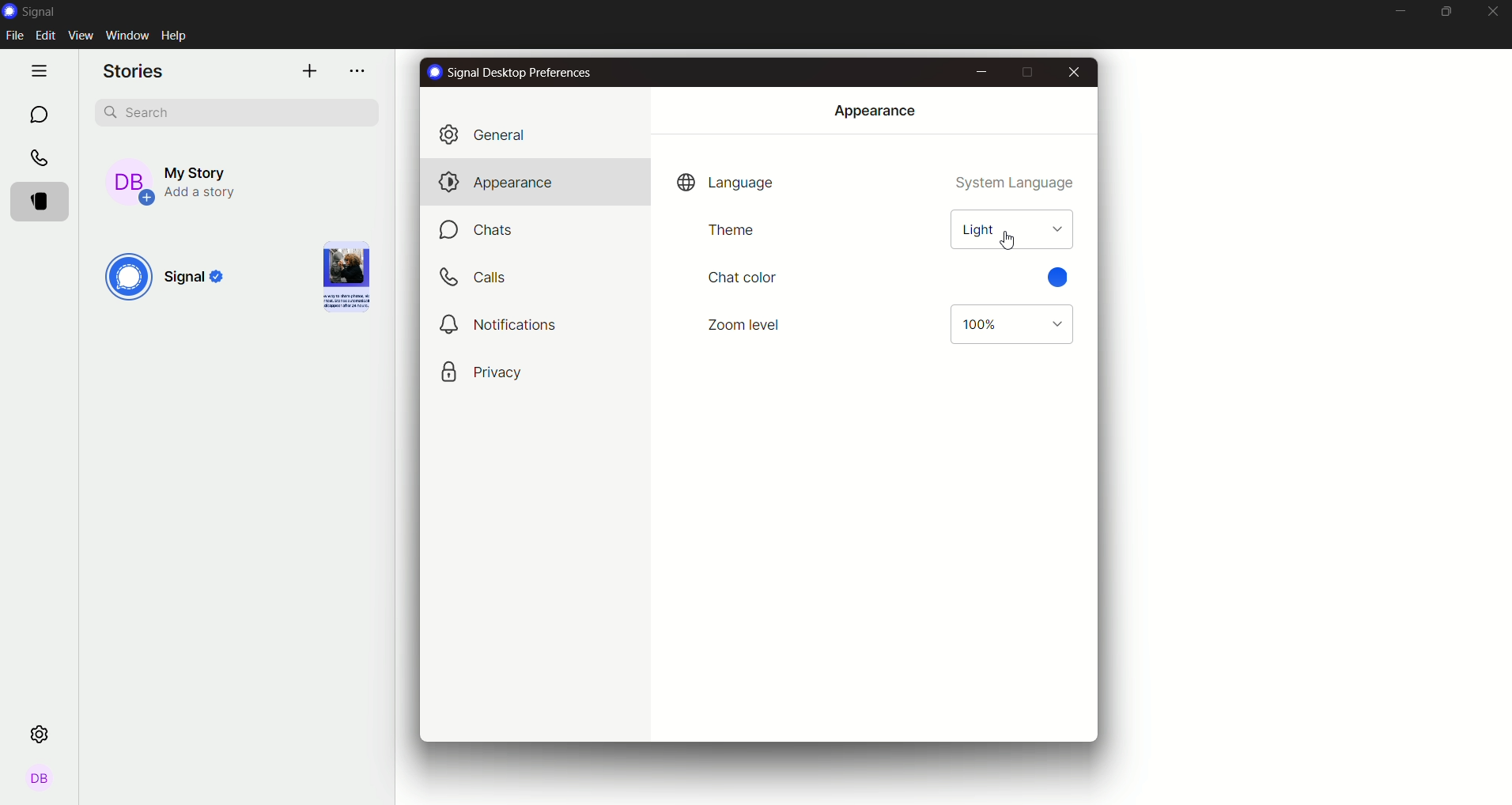  Describe the element at coordinates (874, 110) in the screenshot. I see `appearance` at that location.